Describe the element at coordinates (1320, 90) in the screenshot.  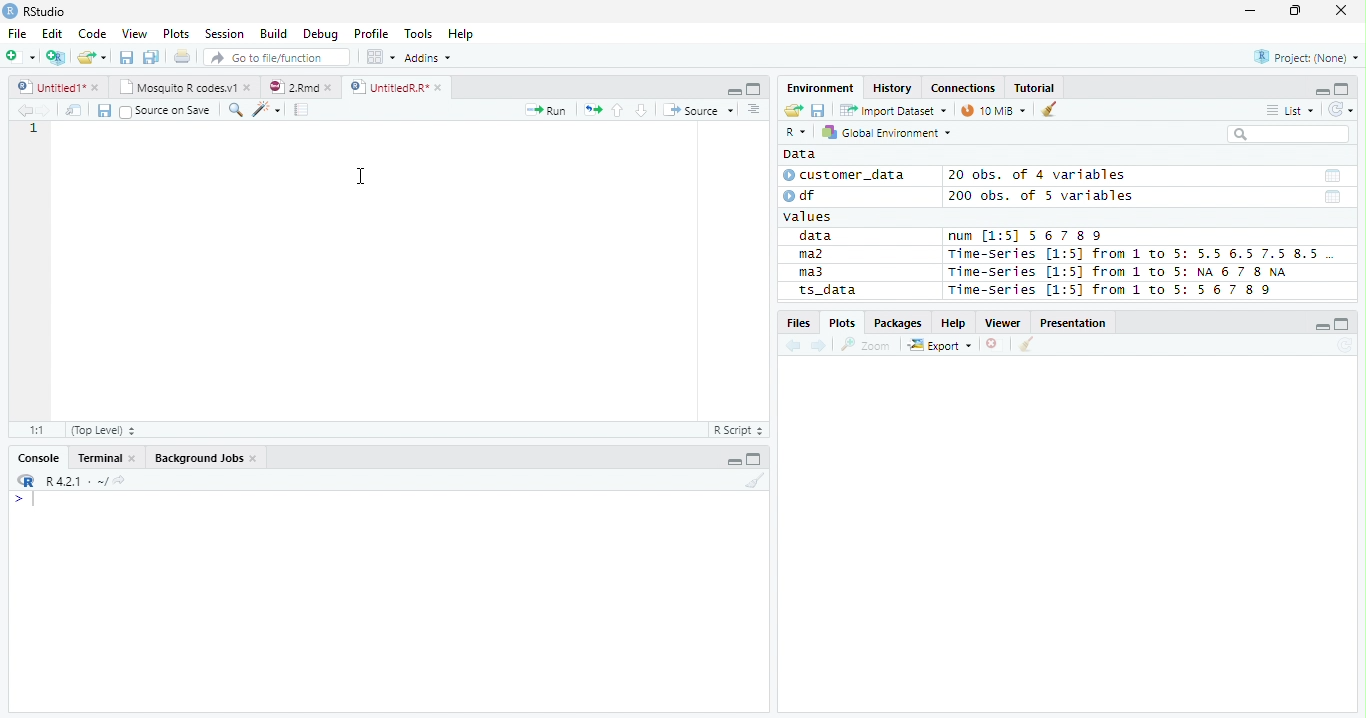
I see `Minimze` at that location.